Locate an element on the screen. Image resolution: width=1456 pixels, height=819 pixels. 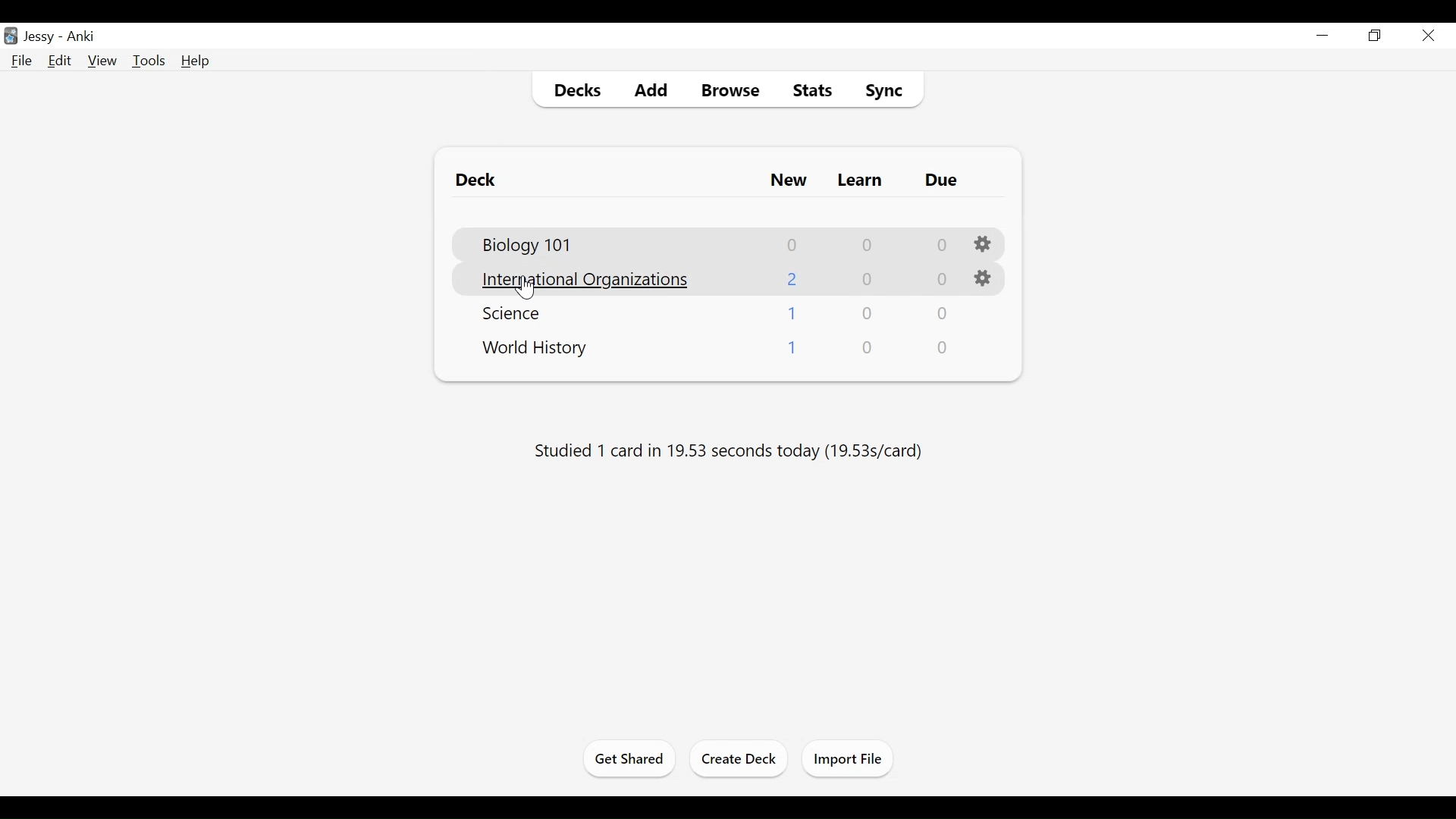
New Cards Coun is located at coordinates (793, 347).